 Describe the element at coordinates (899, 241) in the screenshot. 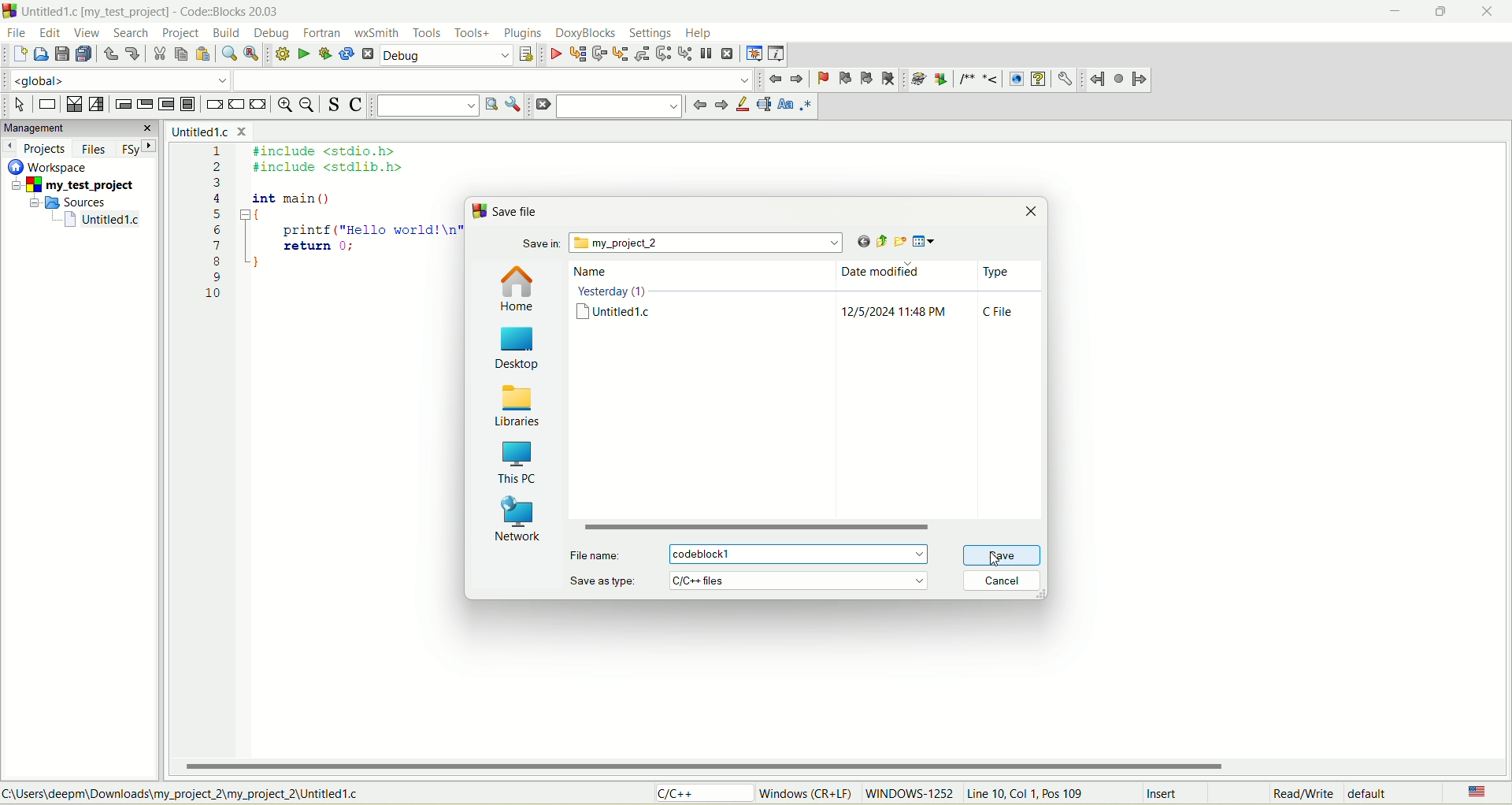

I see `create new folder` at that location.